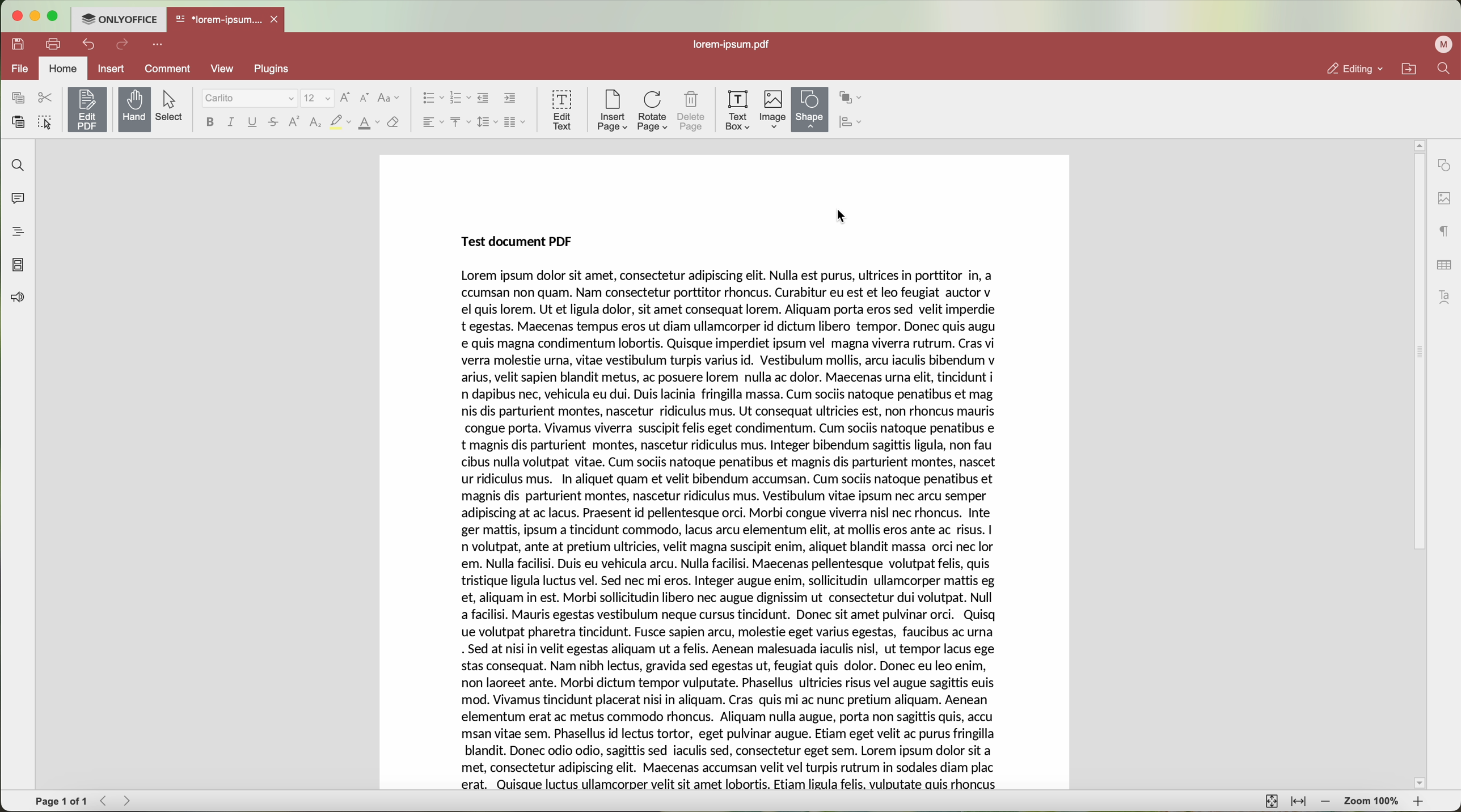 The width and height of the screenshot is (1461, 812). I want to click on cut, so click(45, 98).